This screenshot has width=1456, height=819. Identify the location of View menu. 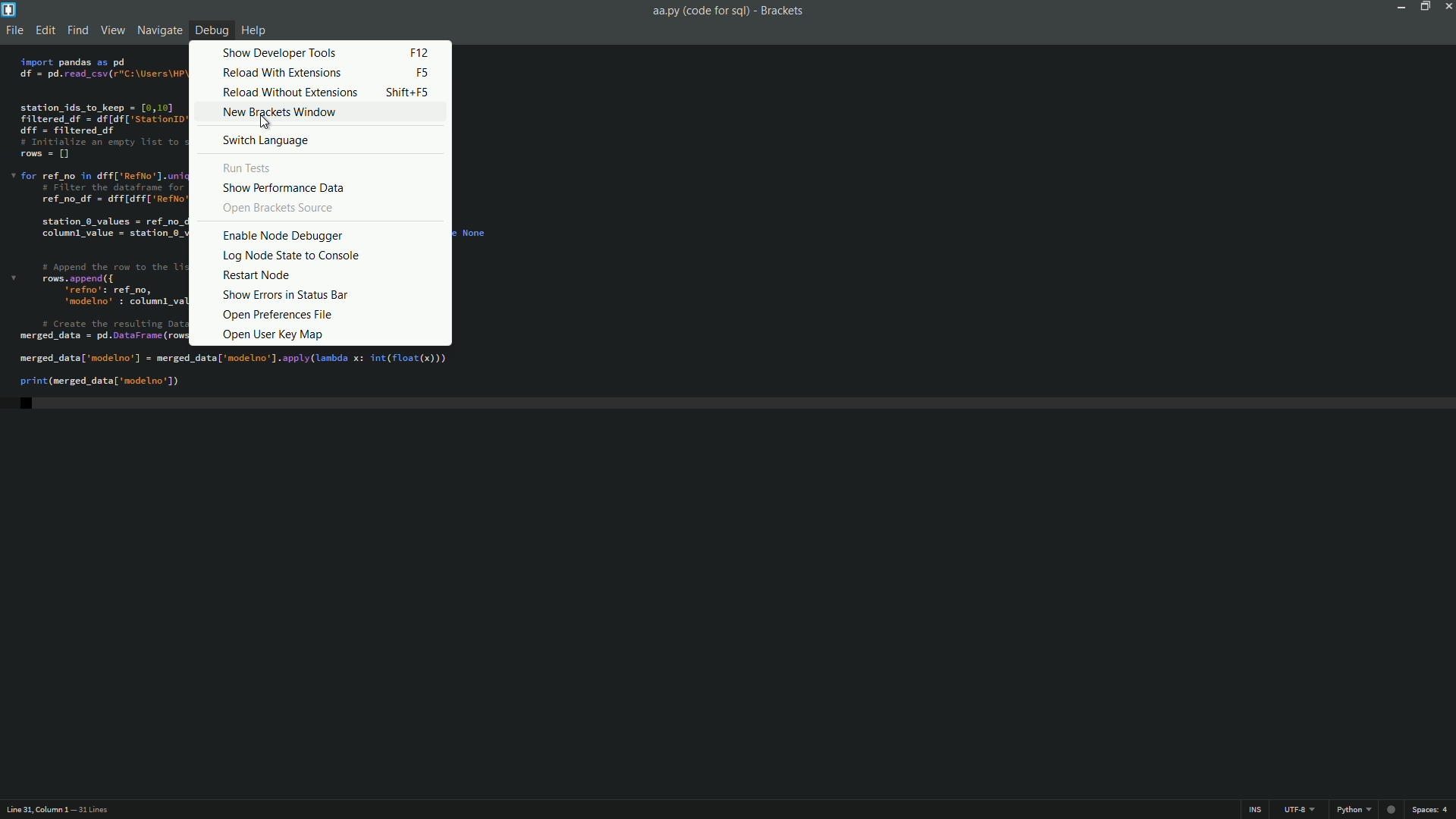
(111, 30).